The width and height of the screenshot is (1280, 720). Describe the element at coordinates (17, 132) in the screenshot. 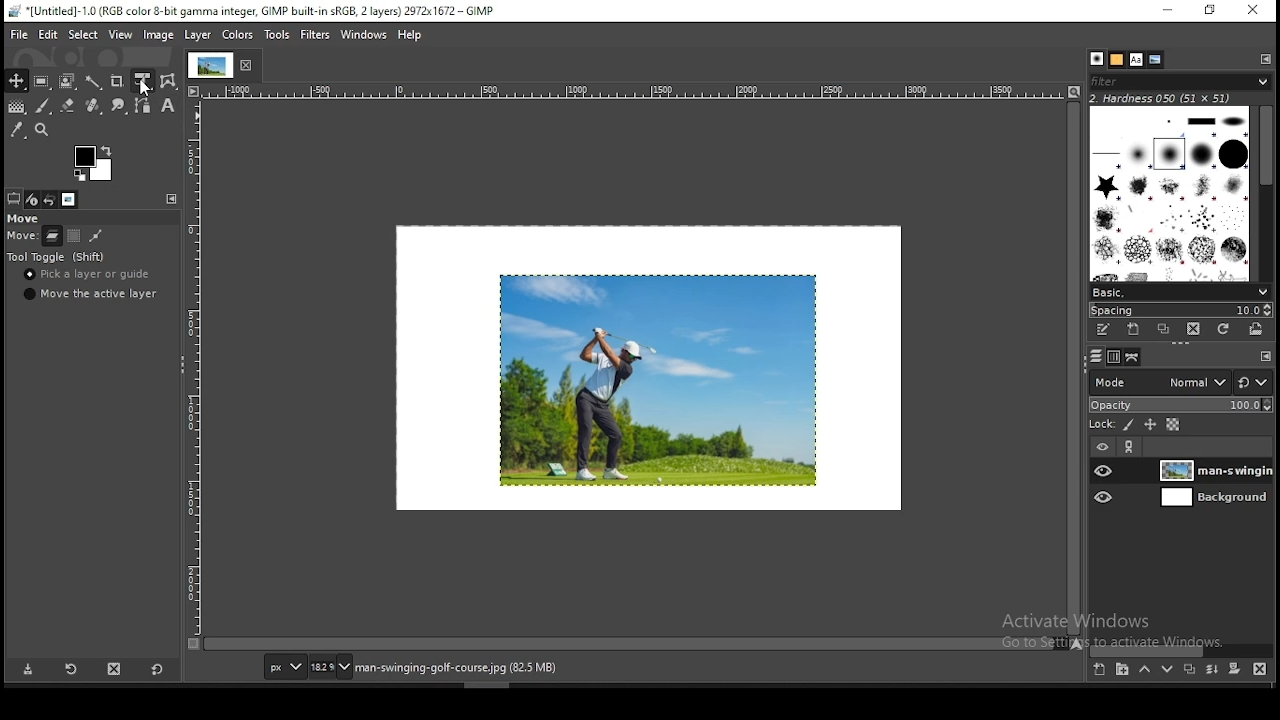

I see `color picker tool` at that location.